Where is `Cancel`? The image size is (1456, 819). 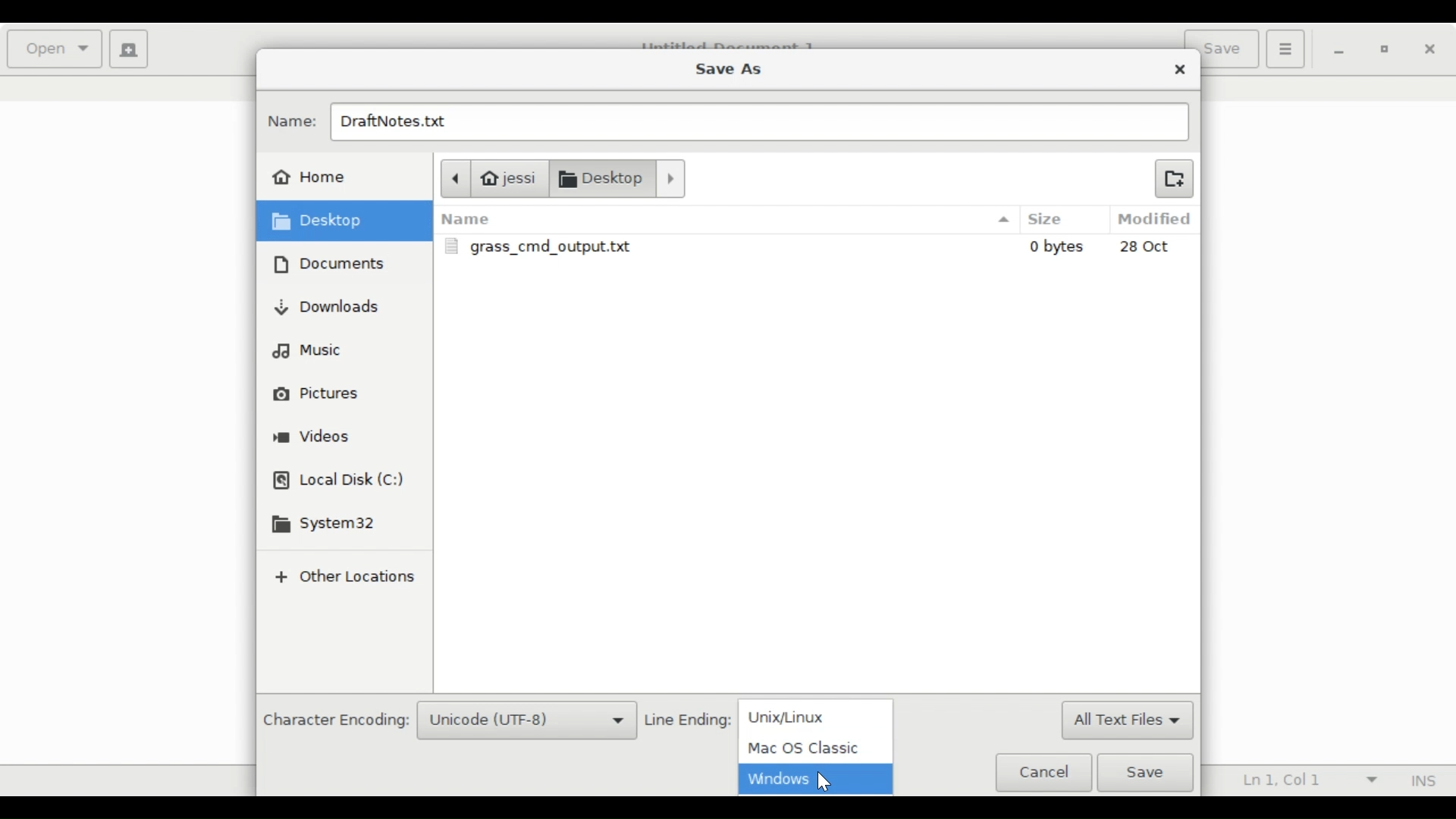 Cancel is located at coordinates (1043, 771).